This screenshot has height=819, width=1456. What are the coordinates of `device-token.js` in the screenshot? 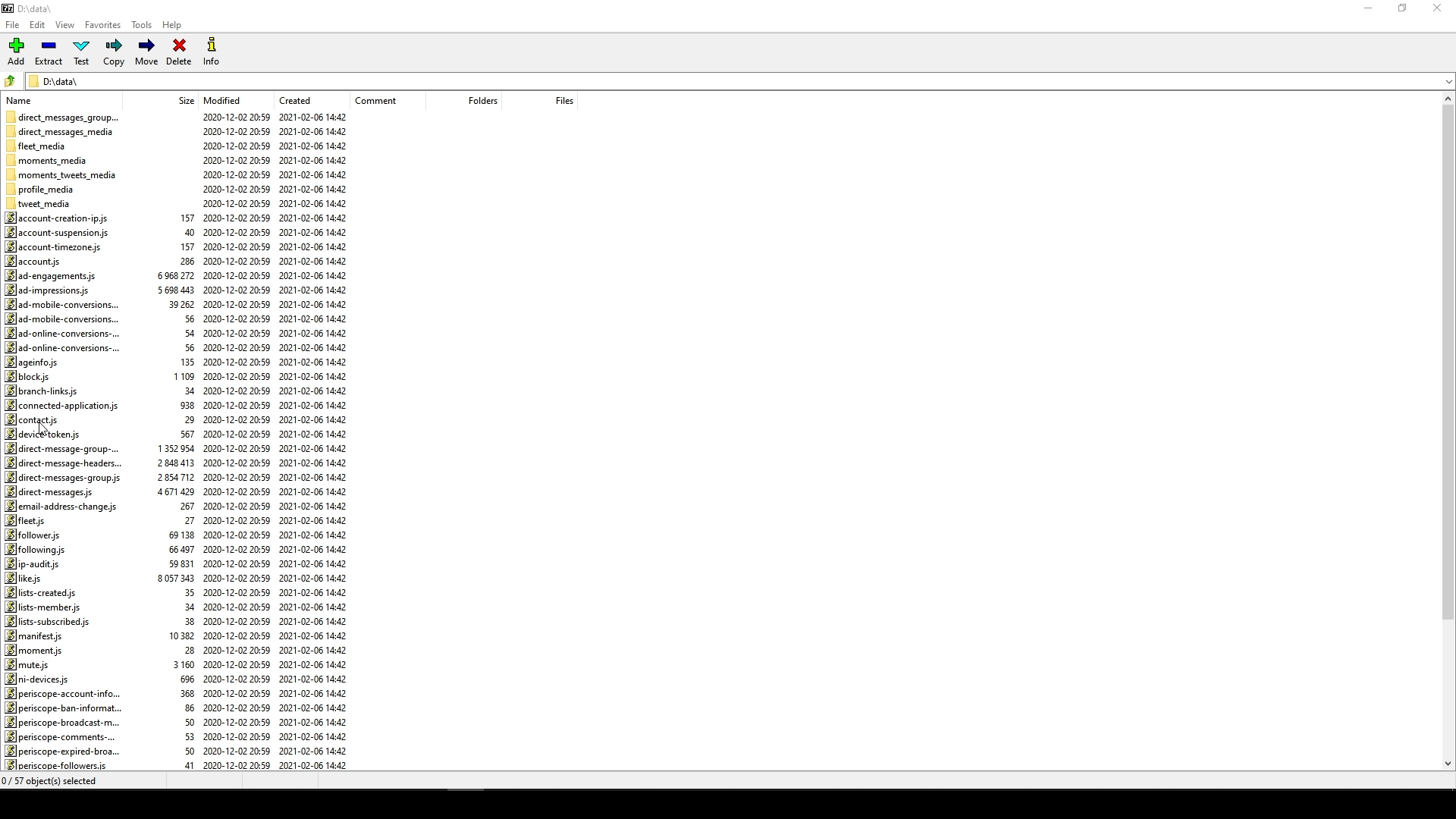 It's located at (46, 434).